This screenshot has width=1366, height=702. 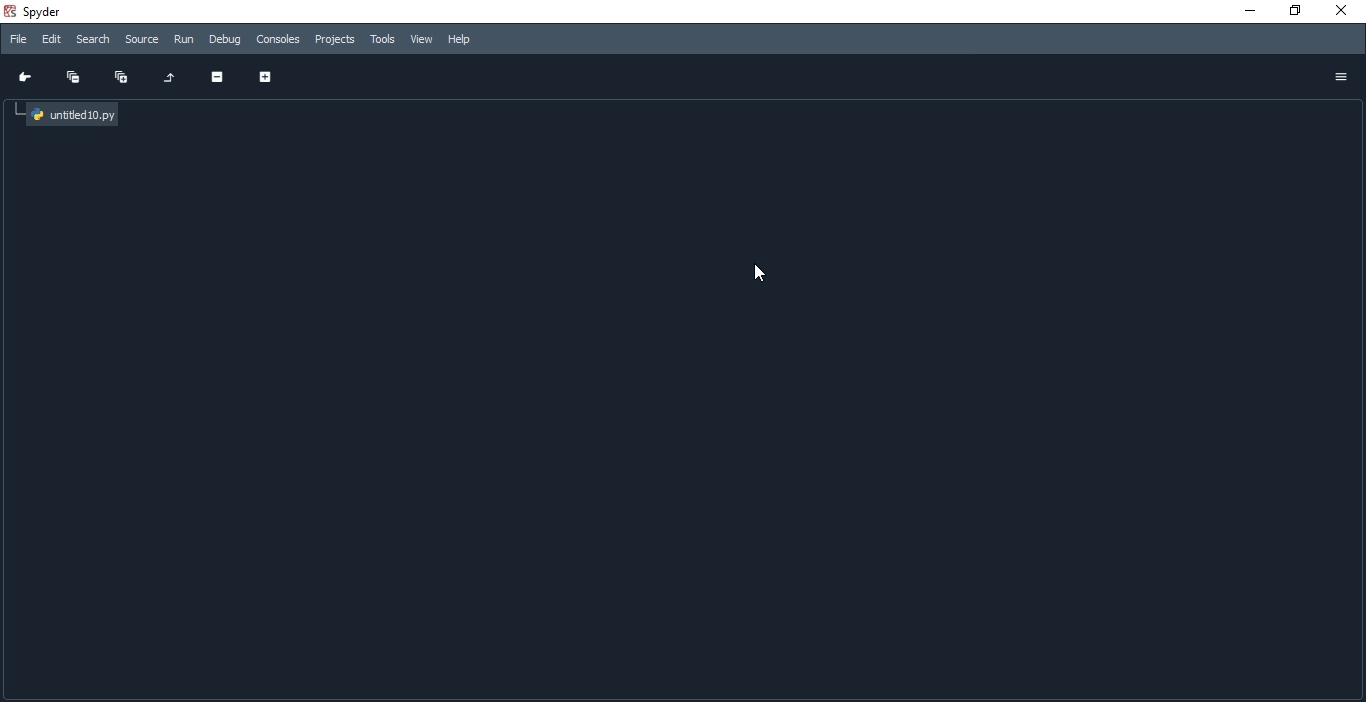 What do you see at coordinates (280, 38) in the screenshot?
I see `Consoles` at bounding box center [280, 38].